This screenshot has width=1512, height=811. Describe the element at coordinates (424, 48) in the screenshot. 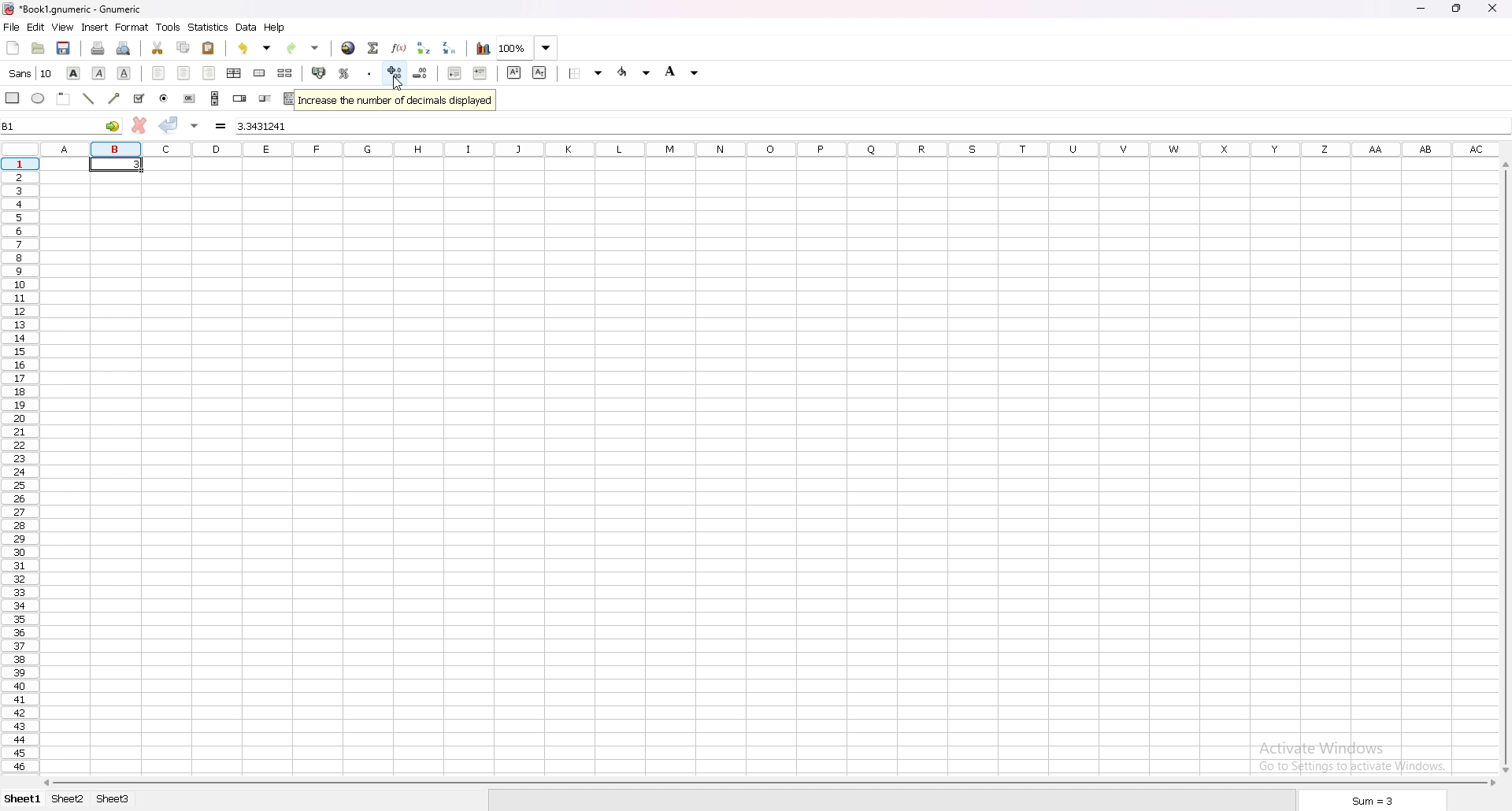

I see `sort ascending` at that location.